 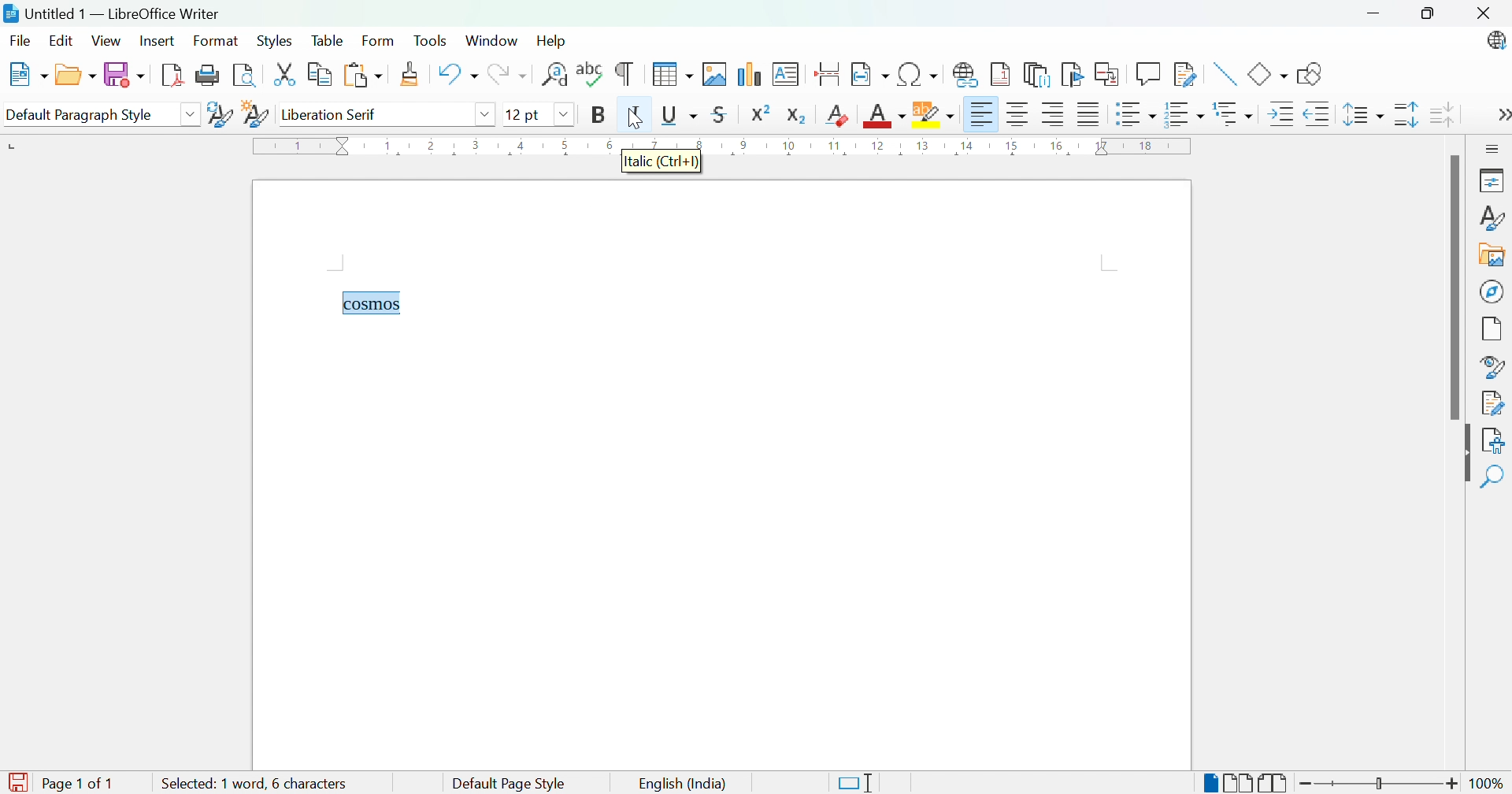 I want to click on Scroll bar, so click(x=1449, y=289).